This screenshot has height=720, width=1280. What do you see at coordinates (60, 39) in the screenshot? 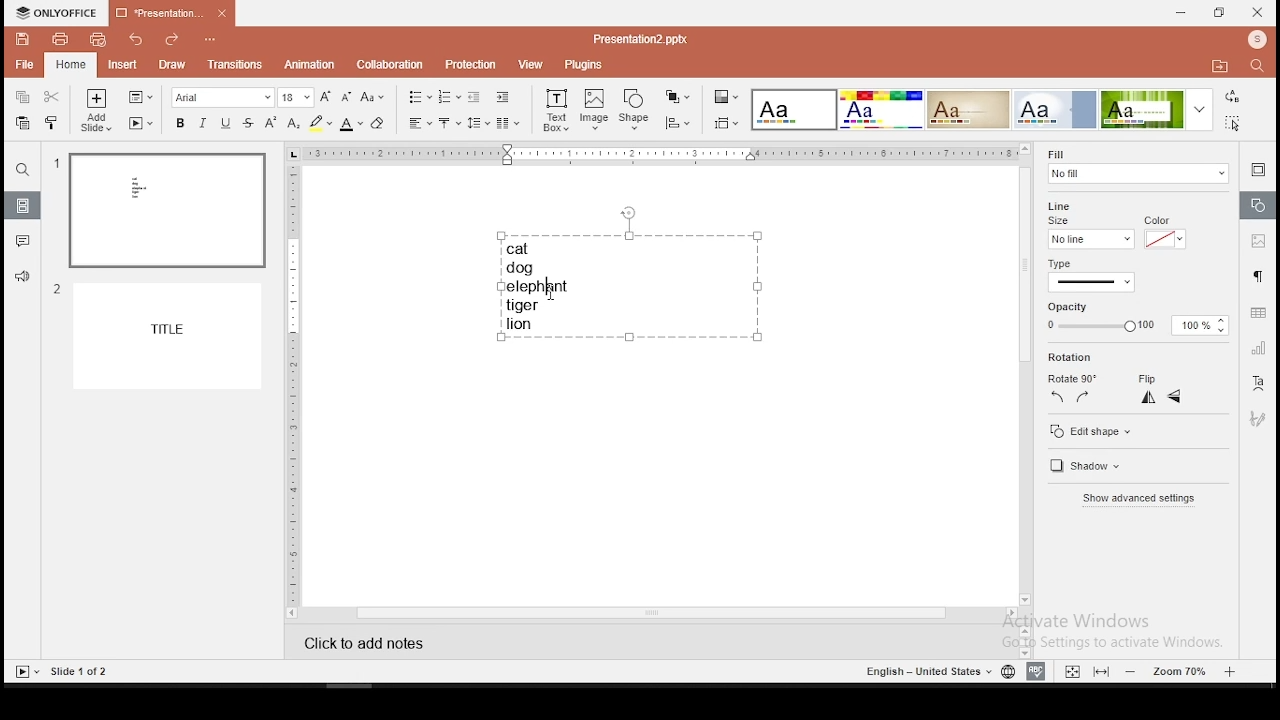
I see `print file` at bounding box center [60, 39].